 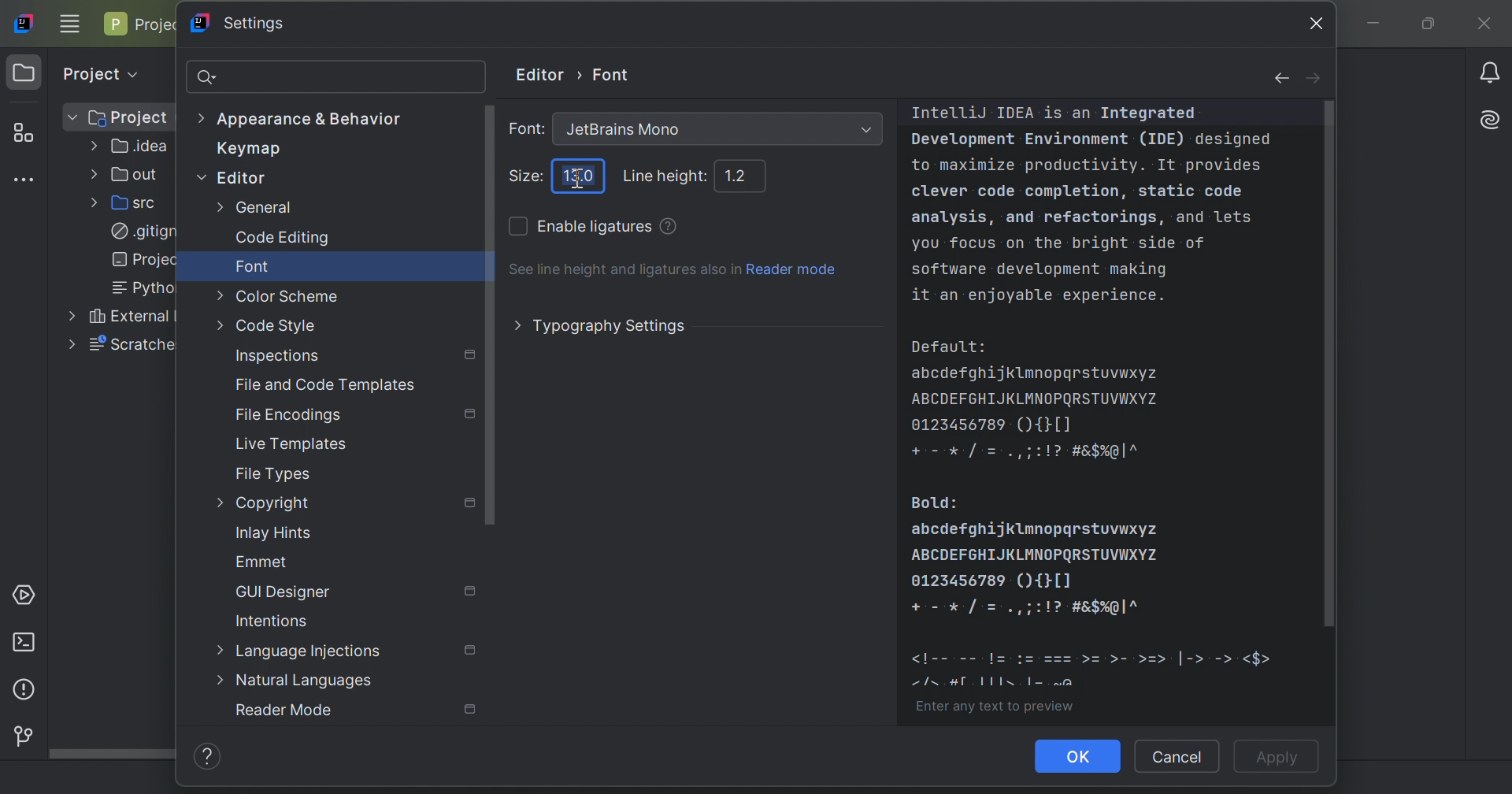 I want to click on you focus on the bright side of, so click(x=1058, y=243).